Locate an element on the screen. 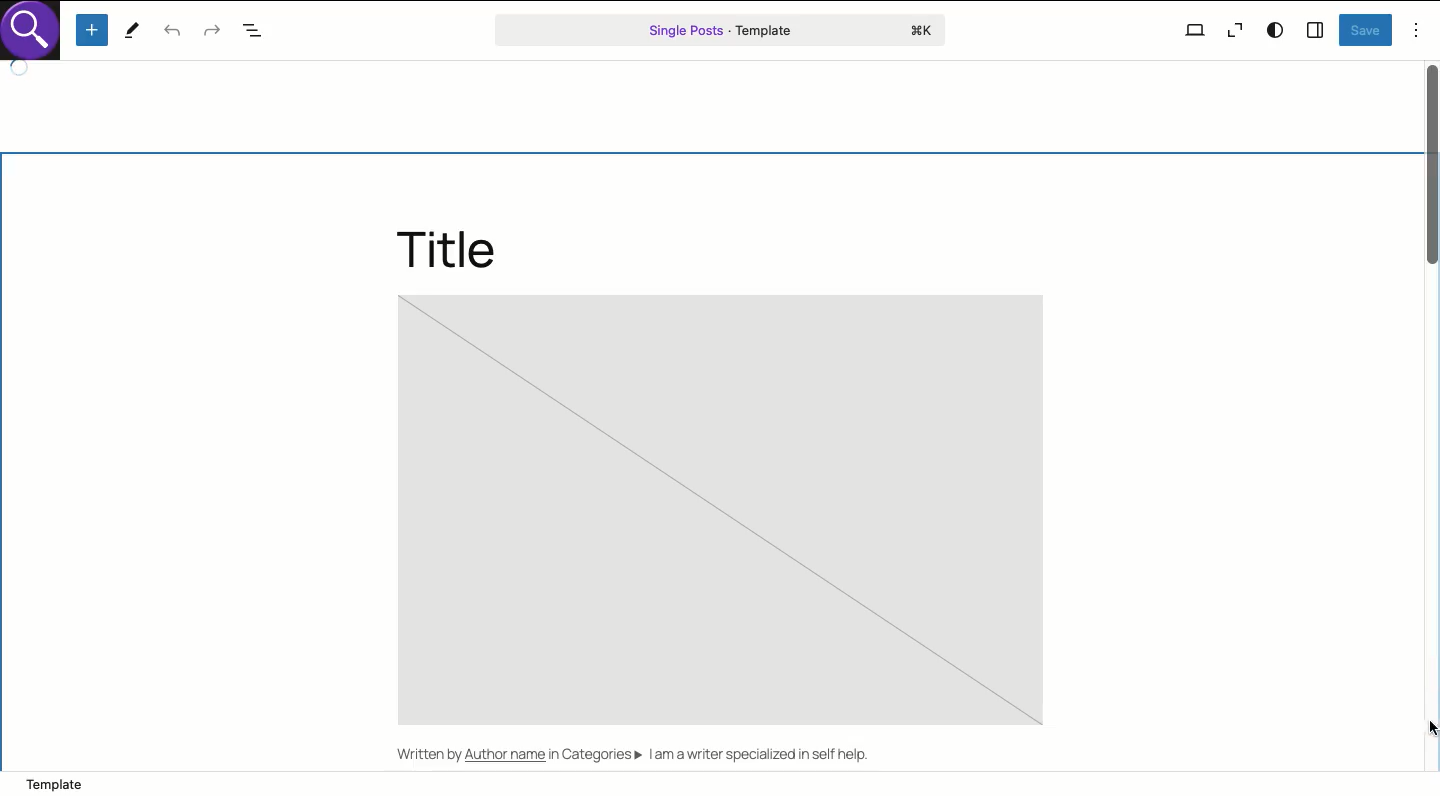  Document overview is located at coordinates (256, 32).